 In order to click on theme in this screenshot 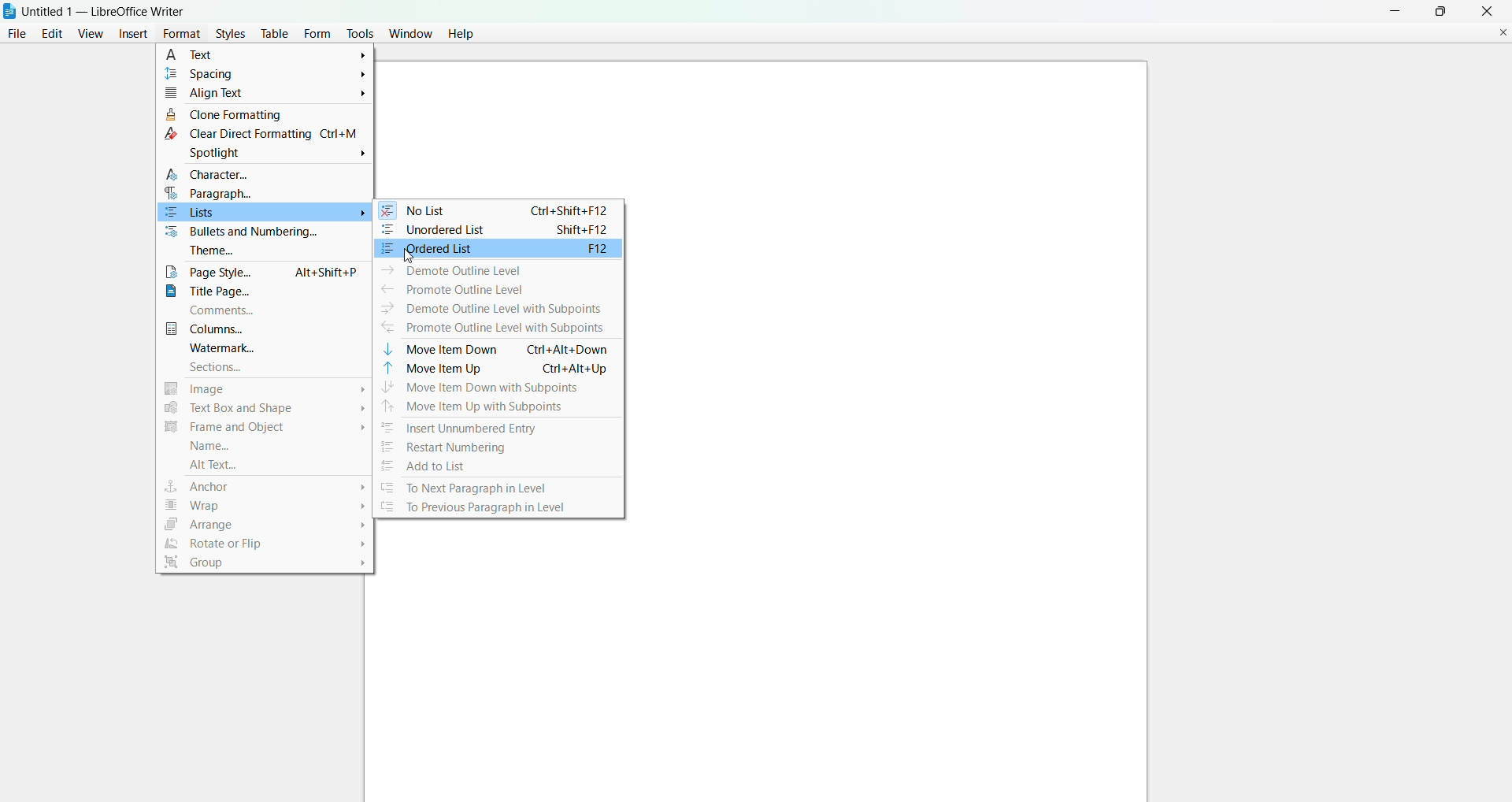, I will do `click(204, 252)`.